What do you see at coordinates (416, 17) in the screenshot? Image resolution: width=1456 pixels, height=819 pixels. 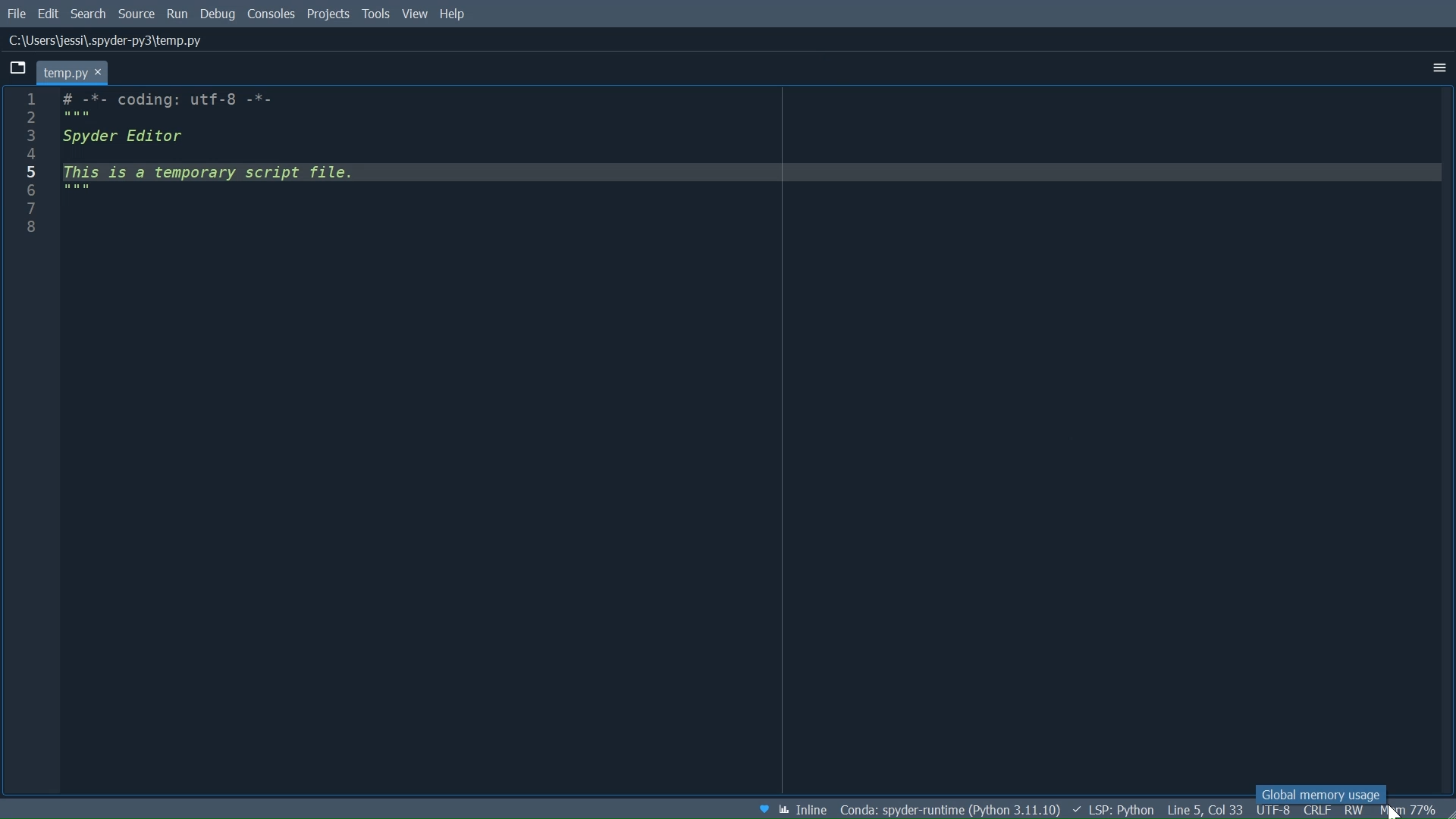 I see `View` at bounding box center [416, 17].